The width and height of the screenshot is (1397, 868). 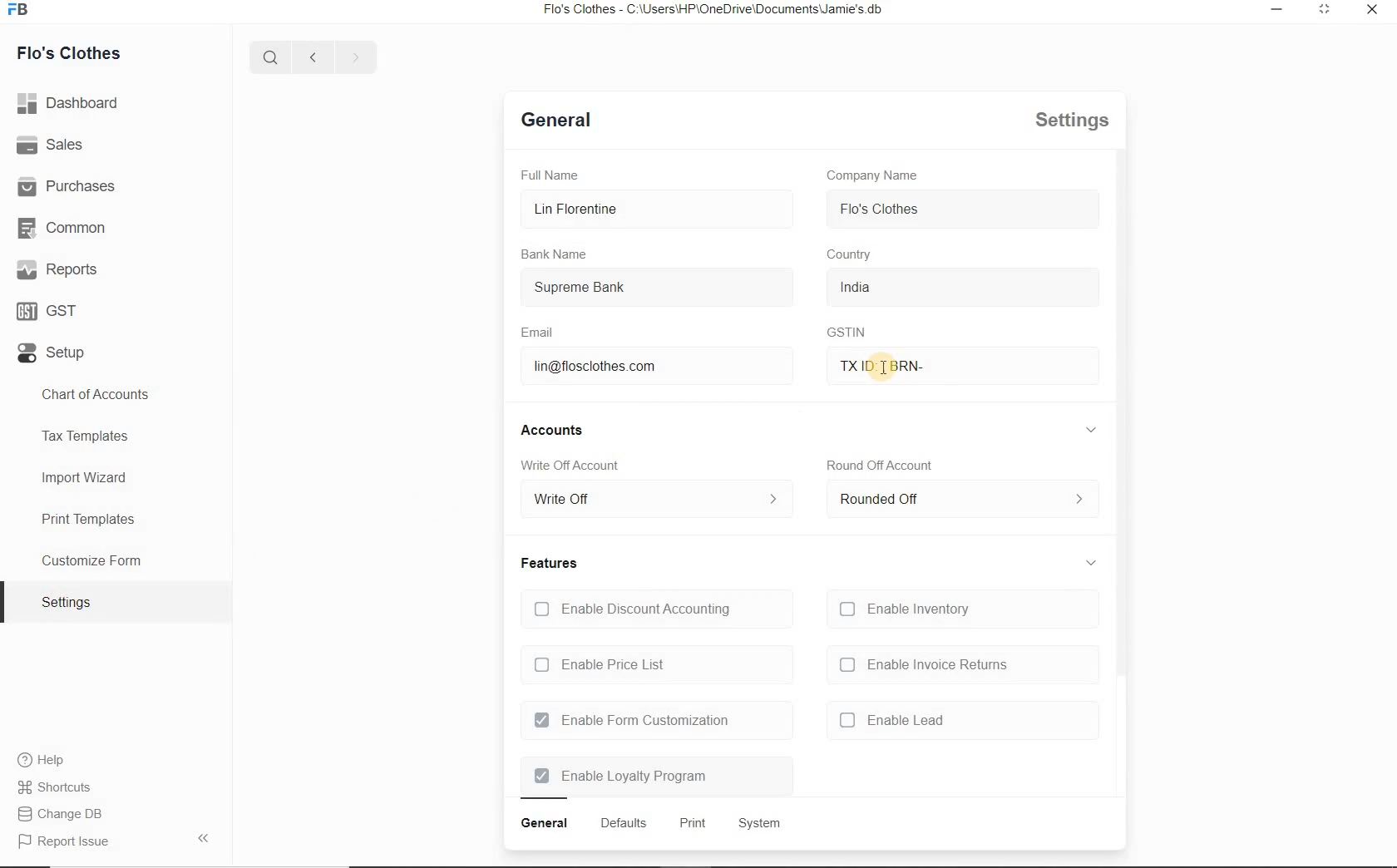 What do you see at coordinates (841, 333) in the screenshot?
I see `GSTIN` at bounding box center [841, 333].